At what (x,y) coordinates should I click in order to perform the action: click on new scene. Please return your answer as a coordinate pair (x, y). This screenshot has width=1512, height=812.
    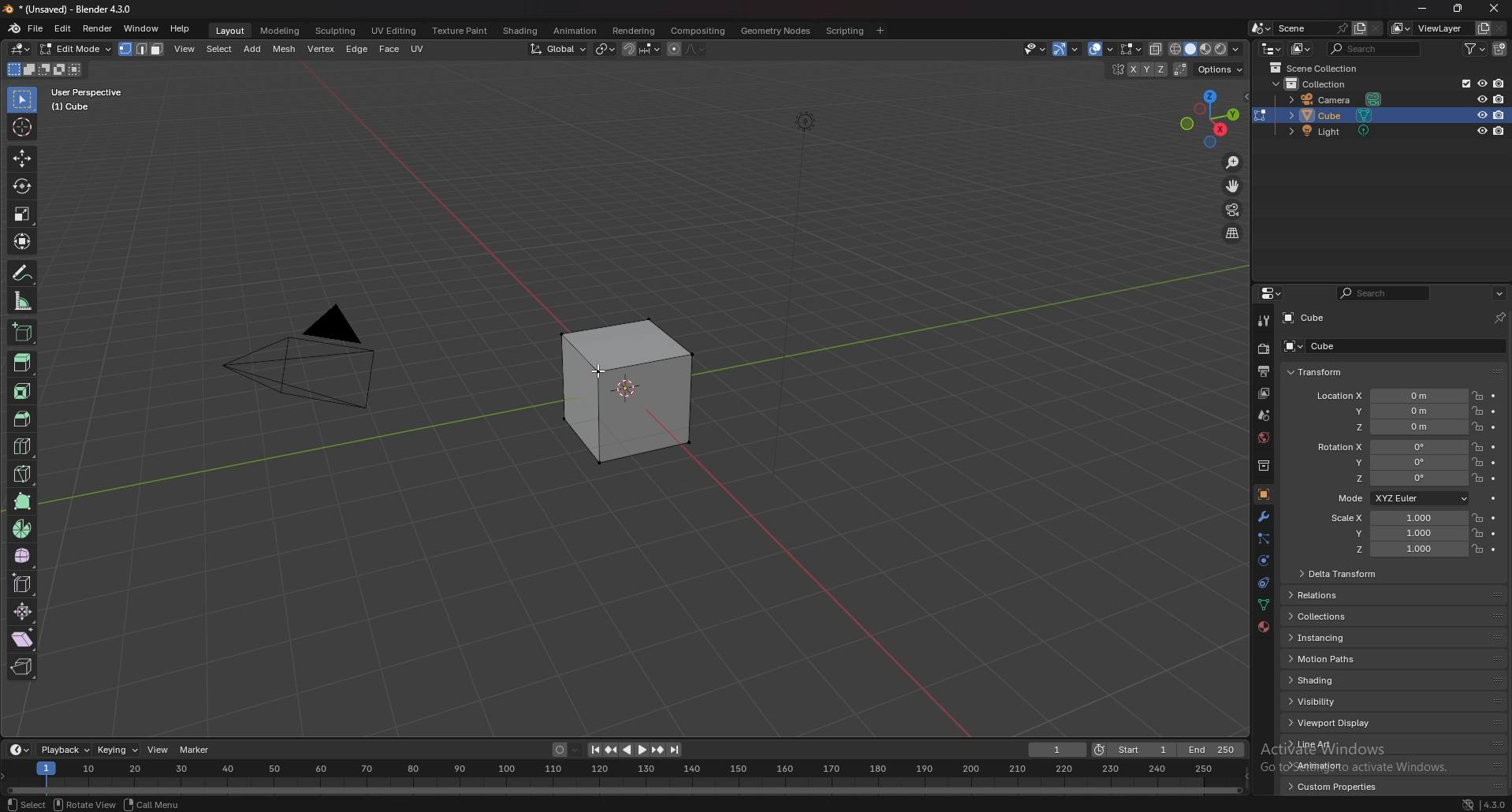
    Looking at the image, I should click on (1360, 28).